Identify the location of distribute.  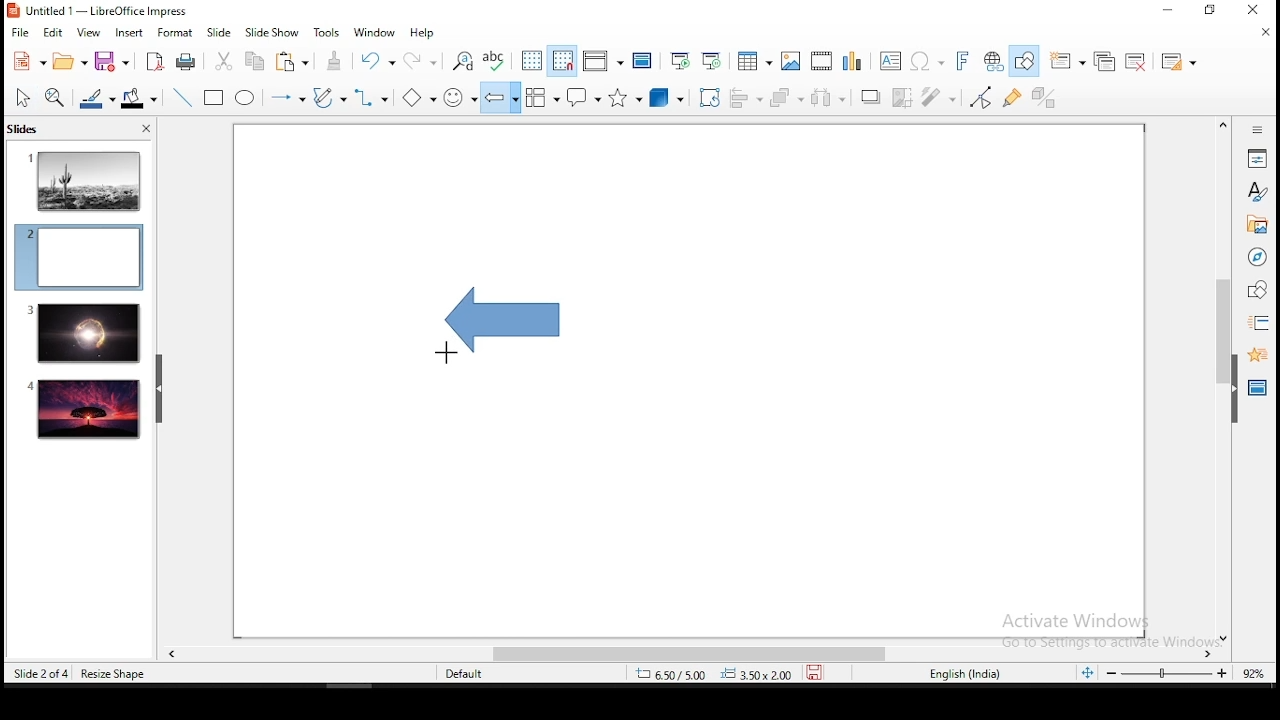
(830, 98).